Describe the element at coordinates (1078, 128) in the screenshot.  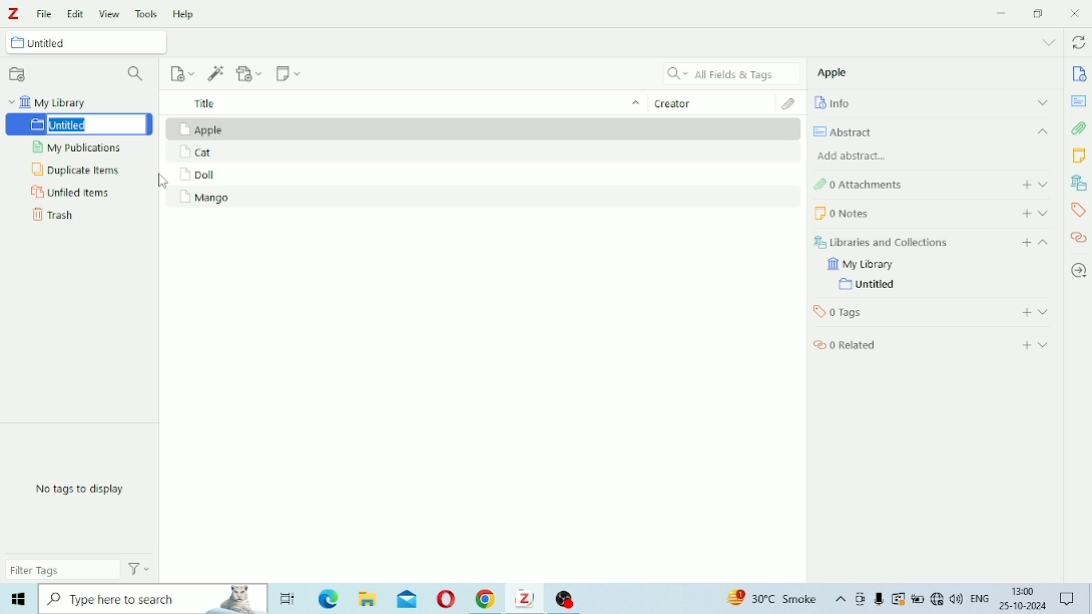
I see `Attachments` at that location.